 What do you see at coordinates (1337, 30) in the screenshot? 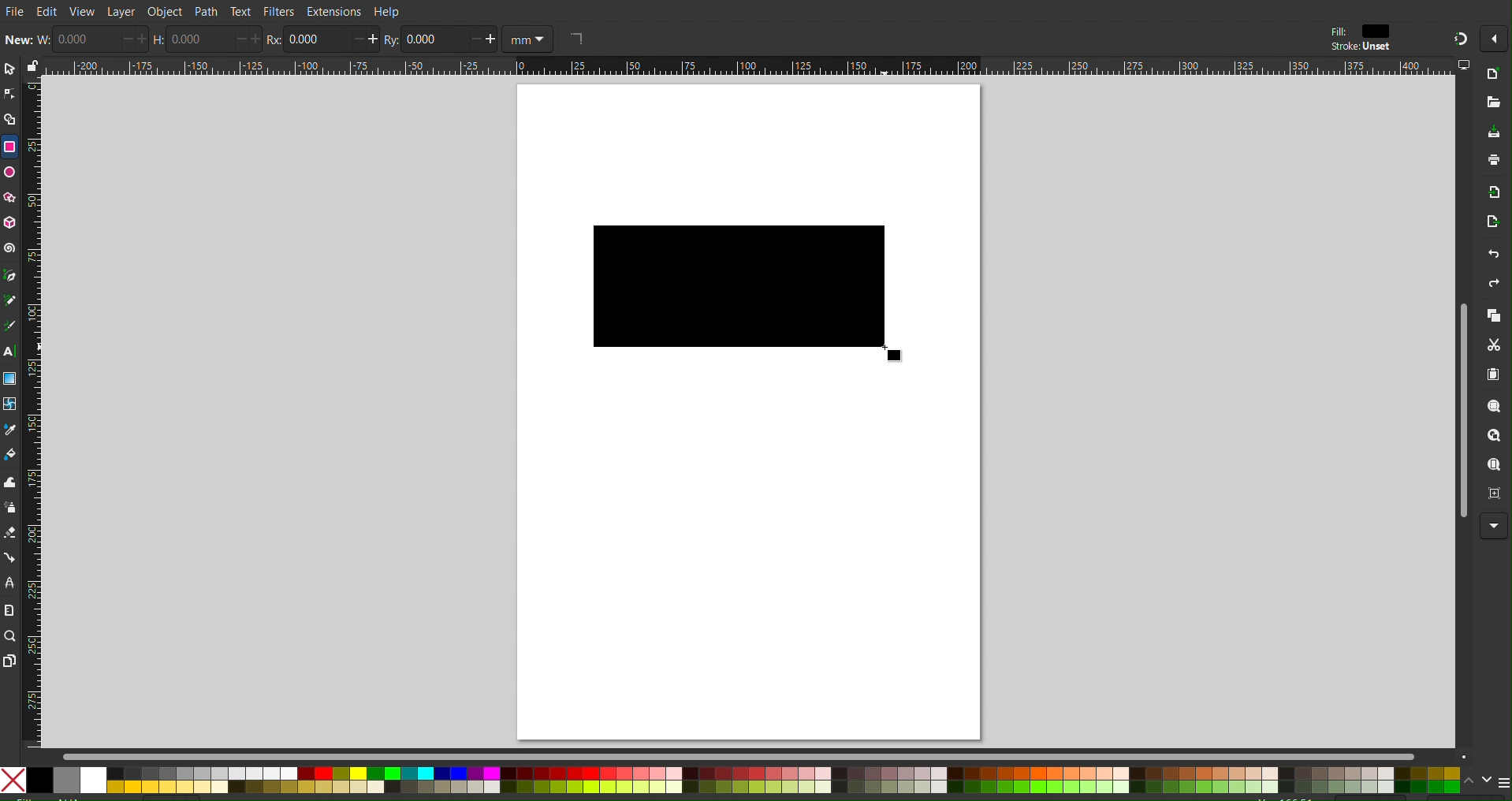
I see `fill:` at bounding box center [1337, 30].